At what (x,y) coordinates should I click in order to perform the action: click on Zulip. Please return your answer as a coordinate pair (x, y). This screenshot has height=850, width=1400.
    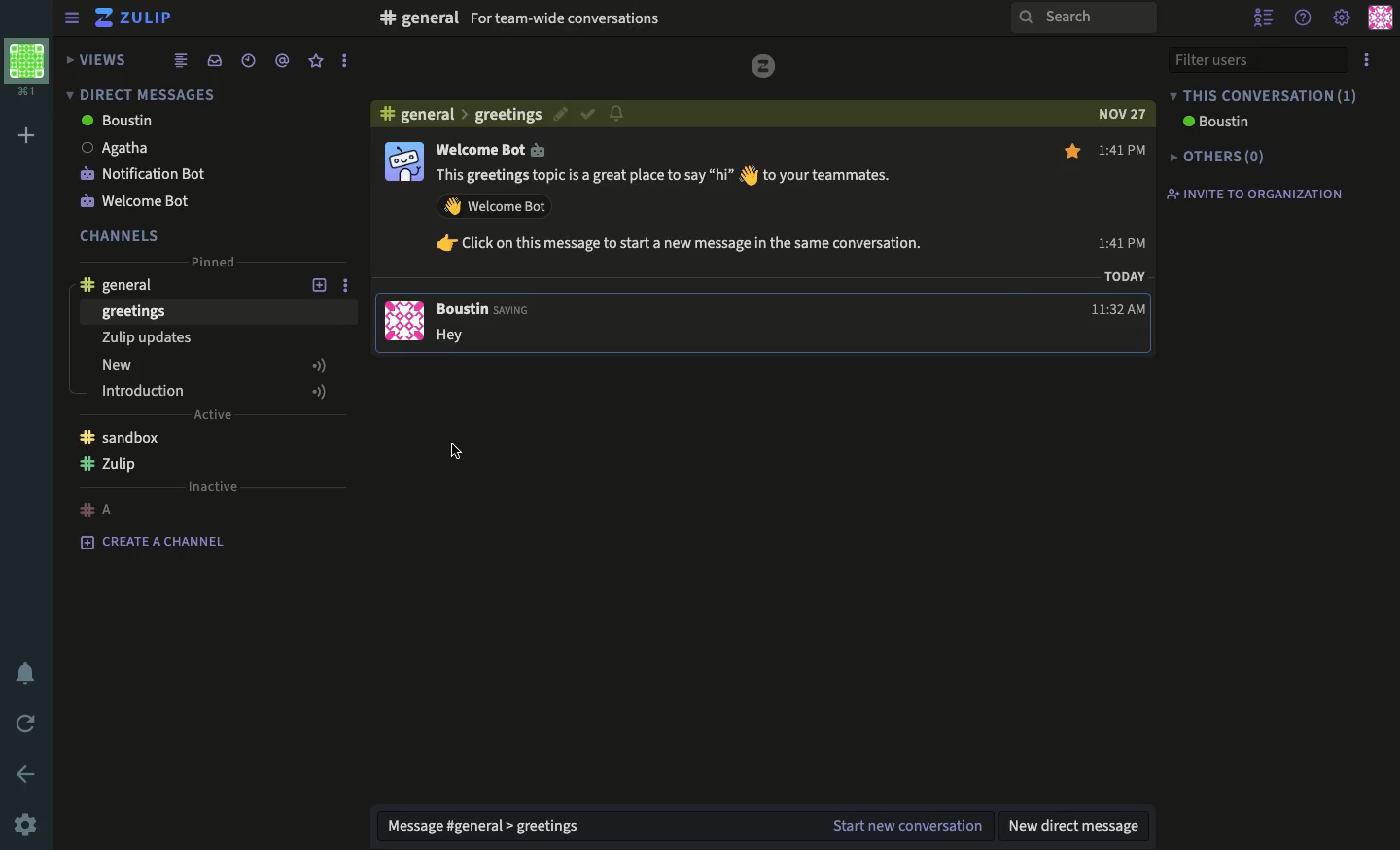
    Looking at the image, I should click on (136, 20).